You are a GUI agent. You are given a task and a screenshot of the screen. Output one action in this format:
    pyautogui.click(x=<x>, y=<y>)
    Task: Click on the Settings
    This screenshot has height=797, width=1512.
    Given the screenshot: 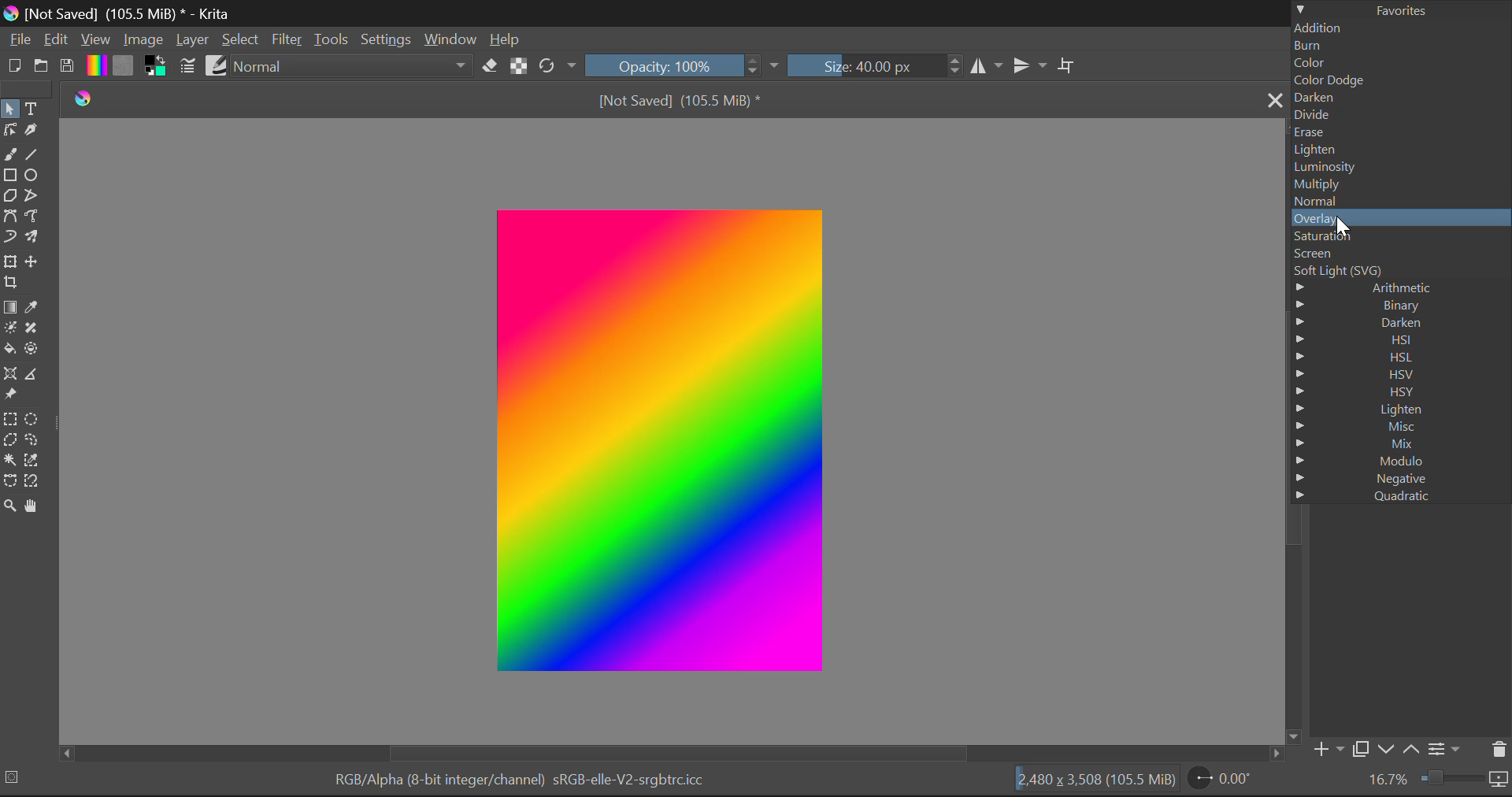 What is the action you would take?
    pyautogui.click(x=1447, y=751)
    